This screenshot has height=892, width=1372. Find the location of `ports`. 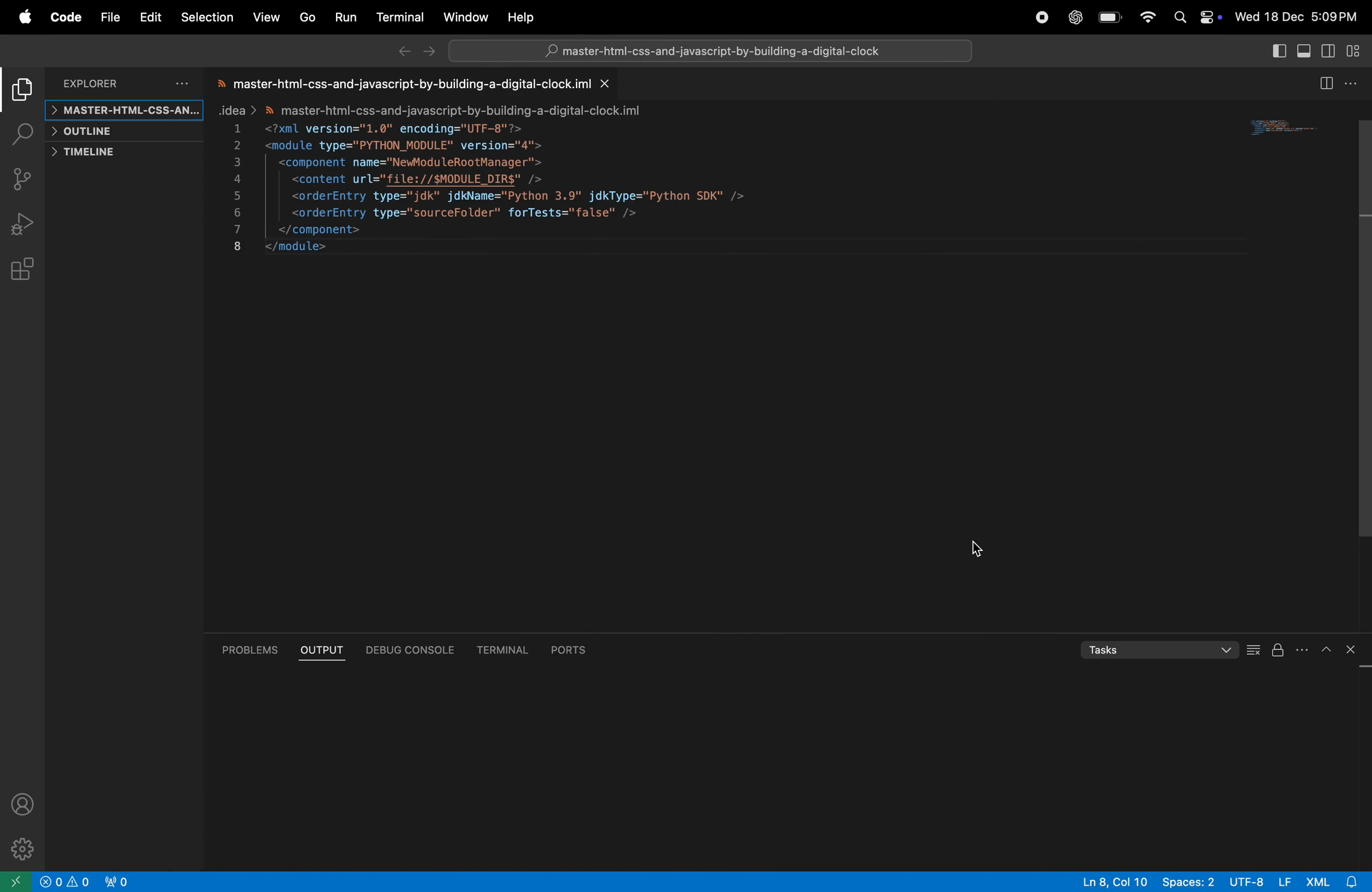

ports is located at coordinates (566, 647).